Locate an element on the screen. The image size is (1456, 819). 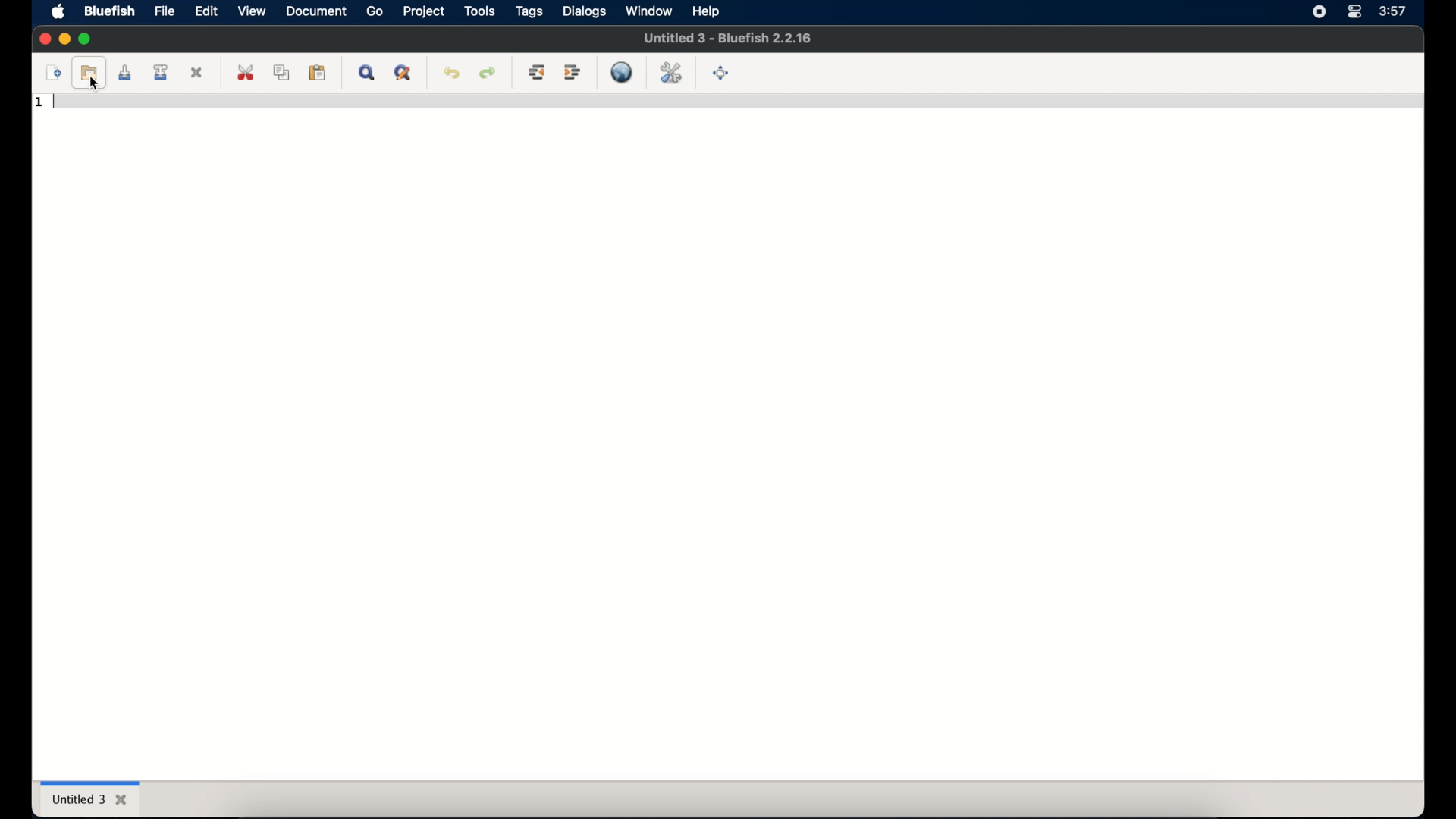
document is located at coordinates (317, 11).